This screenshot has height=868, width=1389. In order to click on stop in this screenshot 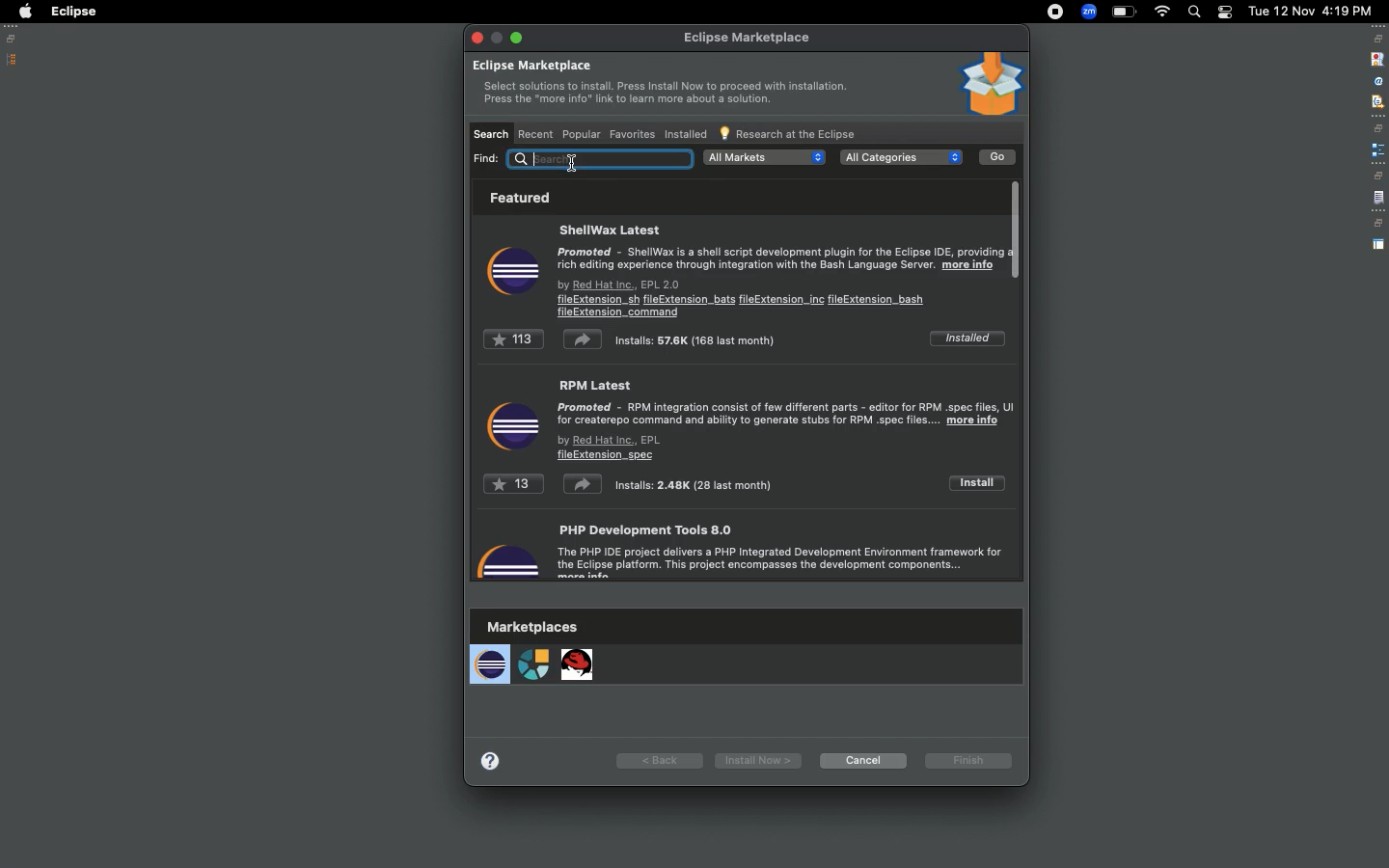, I will do `click(1375, 58)`.